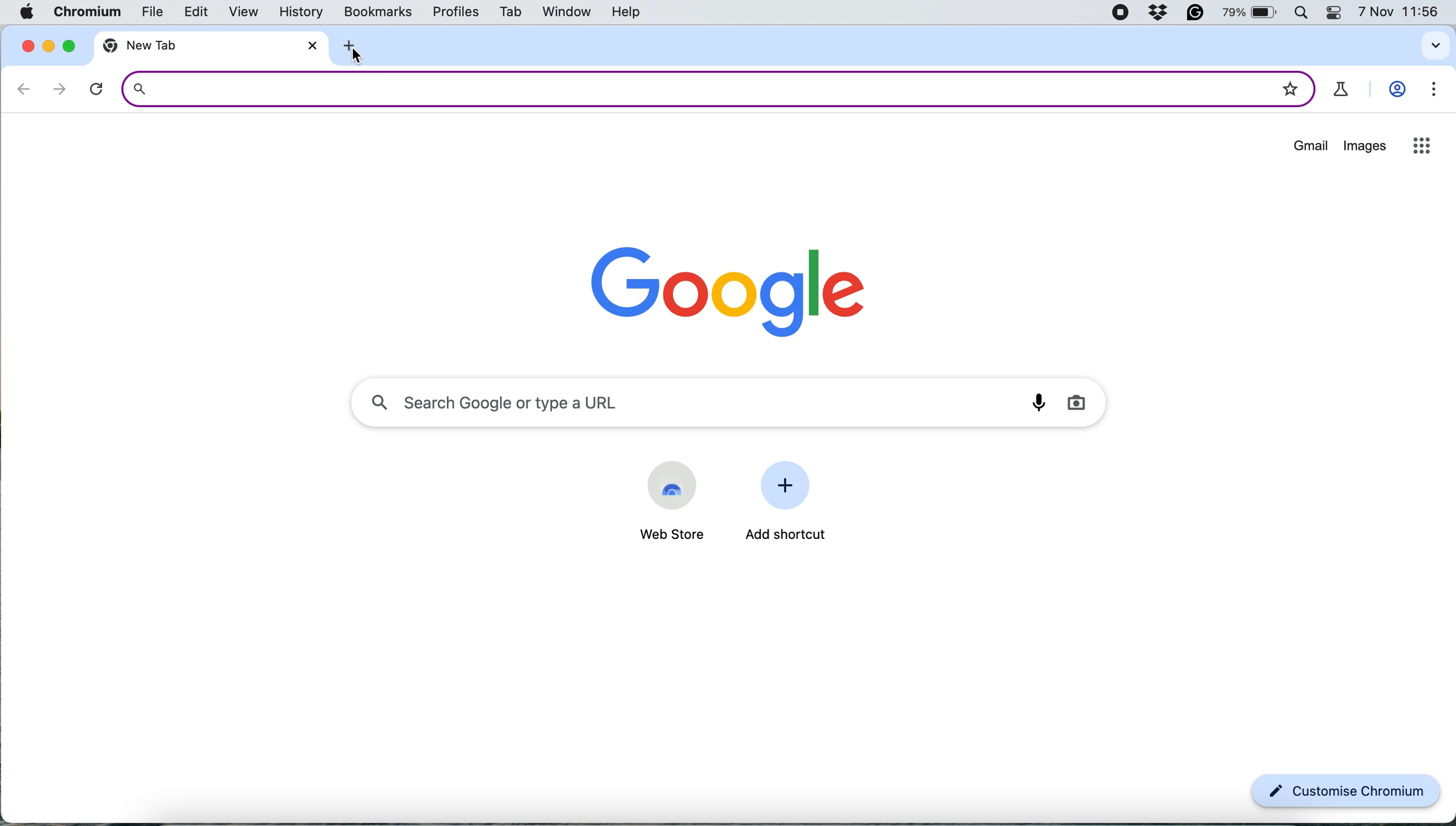 The height and width of the screenshot is (826, 1456). What do you see at coordinates (1436, 45) in the screenshot?
I see `search all tabs` at bounding box center [1436, 45].